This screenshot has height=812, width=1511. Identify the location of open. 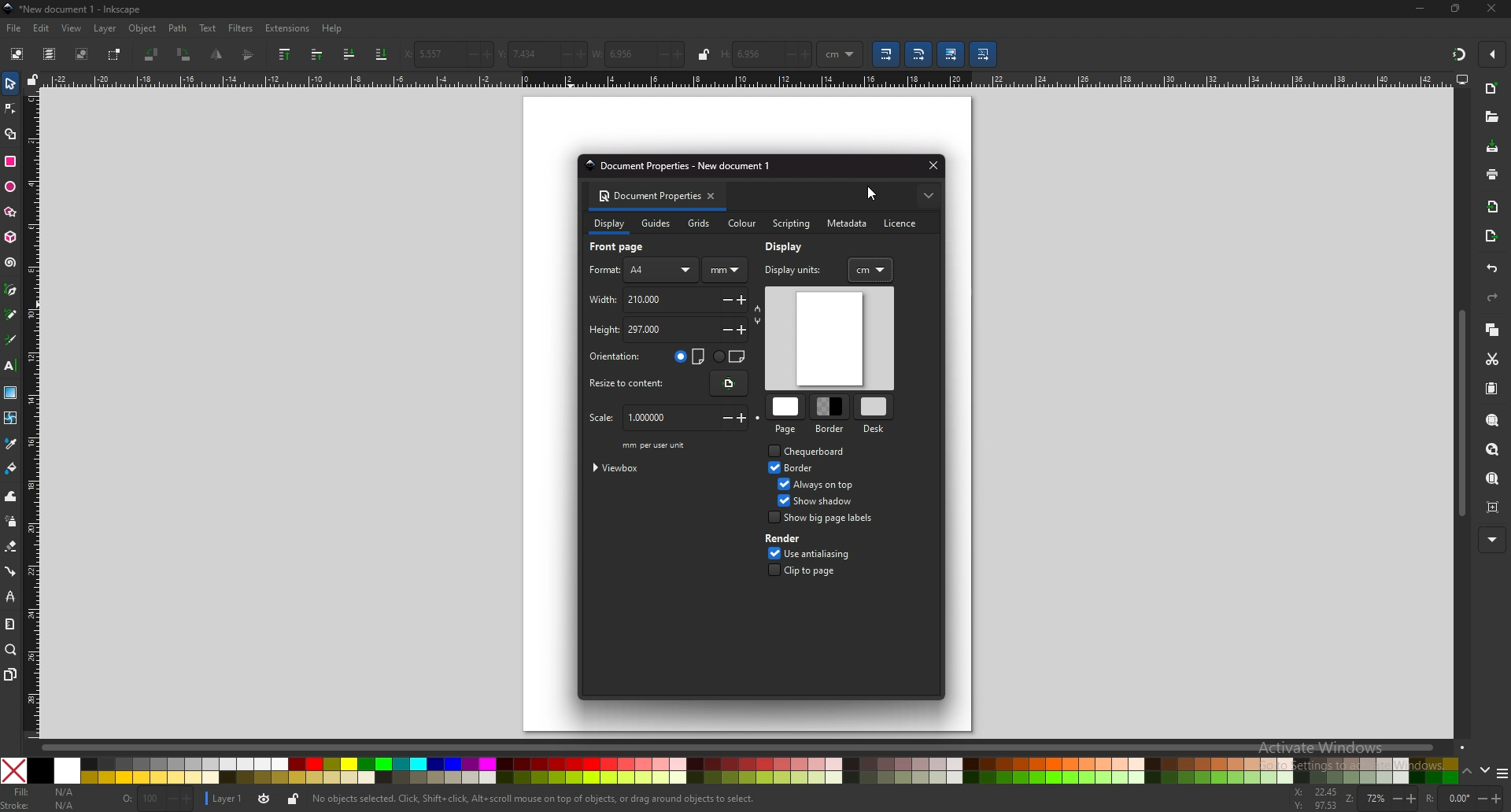
(1492, 116).